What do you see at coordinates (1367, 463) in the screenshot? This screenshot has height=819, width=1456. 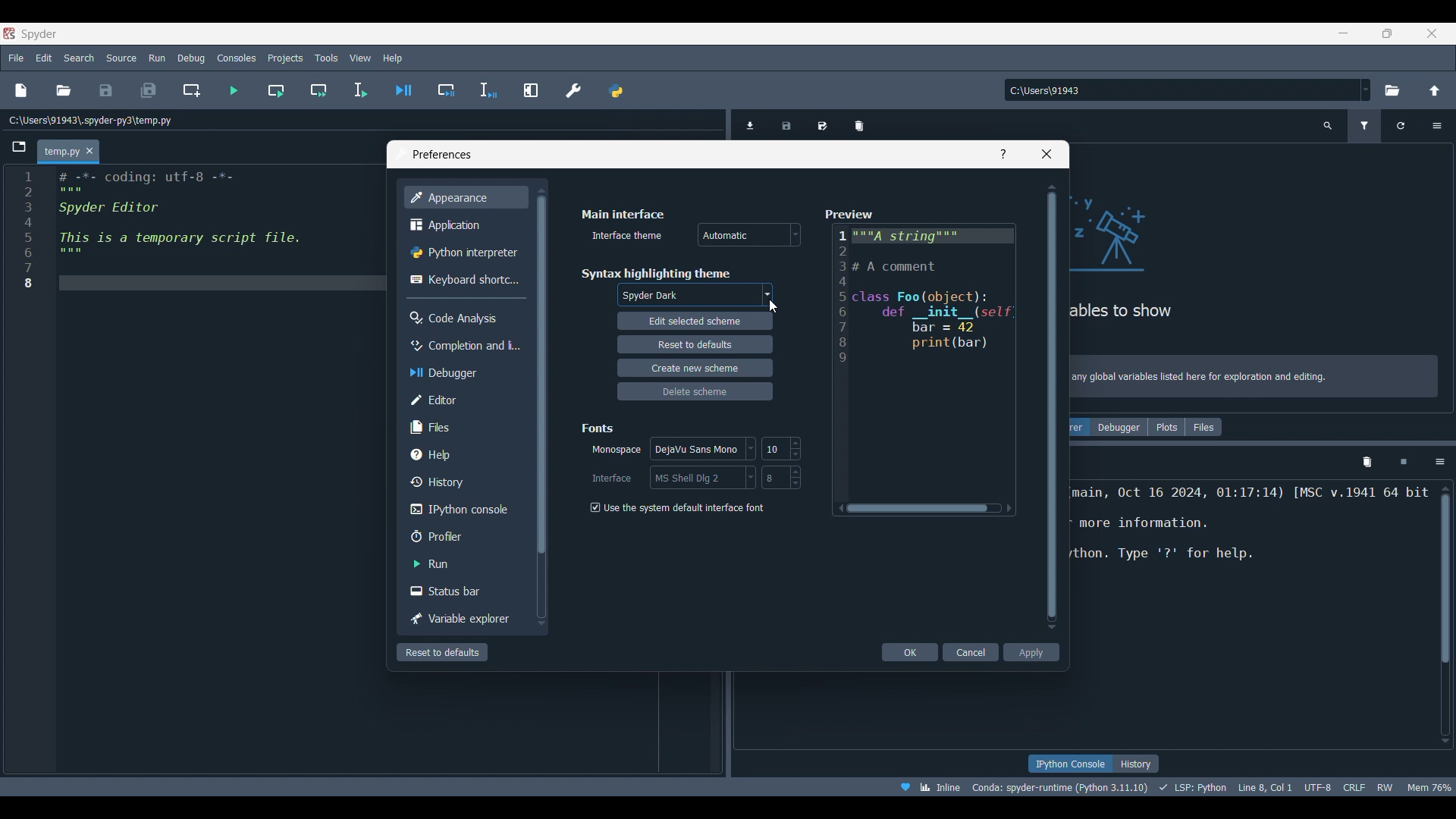 I see `Remove all variables from namespace` at bounding box center [1367, 463].